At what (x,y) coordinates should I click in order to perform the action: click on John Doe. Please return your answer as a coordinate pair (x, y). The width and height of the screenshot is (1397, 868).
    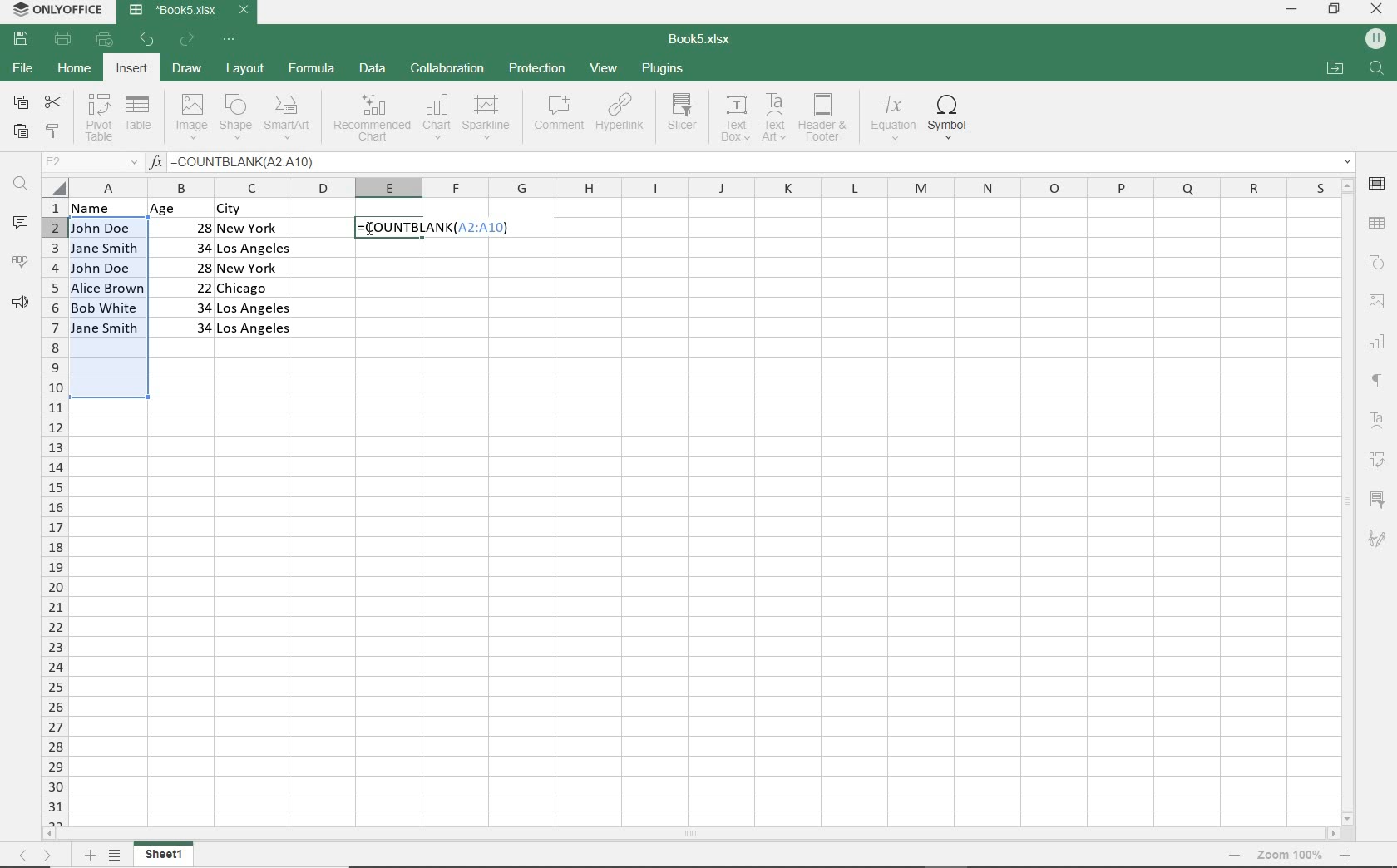
    Looking at the image, I should click on (101, 228).